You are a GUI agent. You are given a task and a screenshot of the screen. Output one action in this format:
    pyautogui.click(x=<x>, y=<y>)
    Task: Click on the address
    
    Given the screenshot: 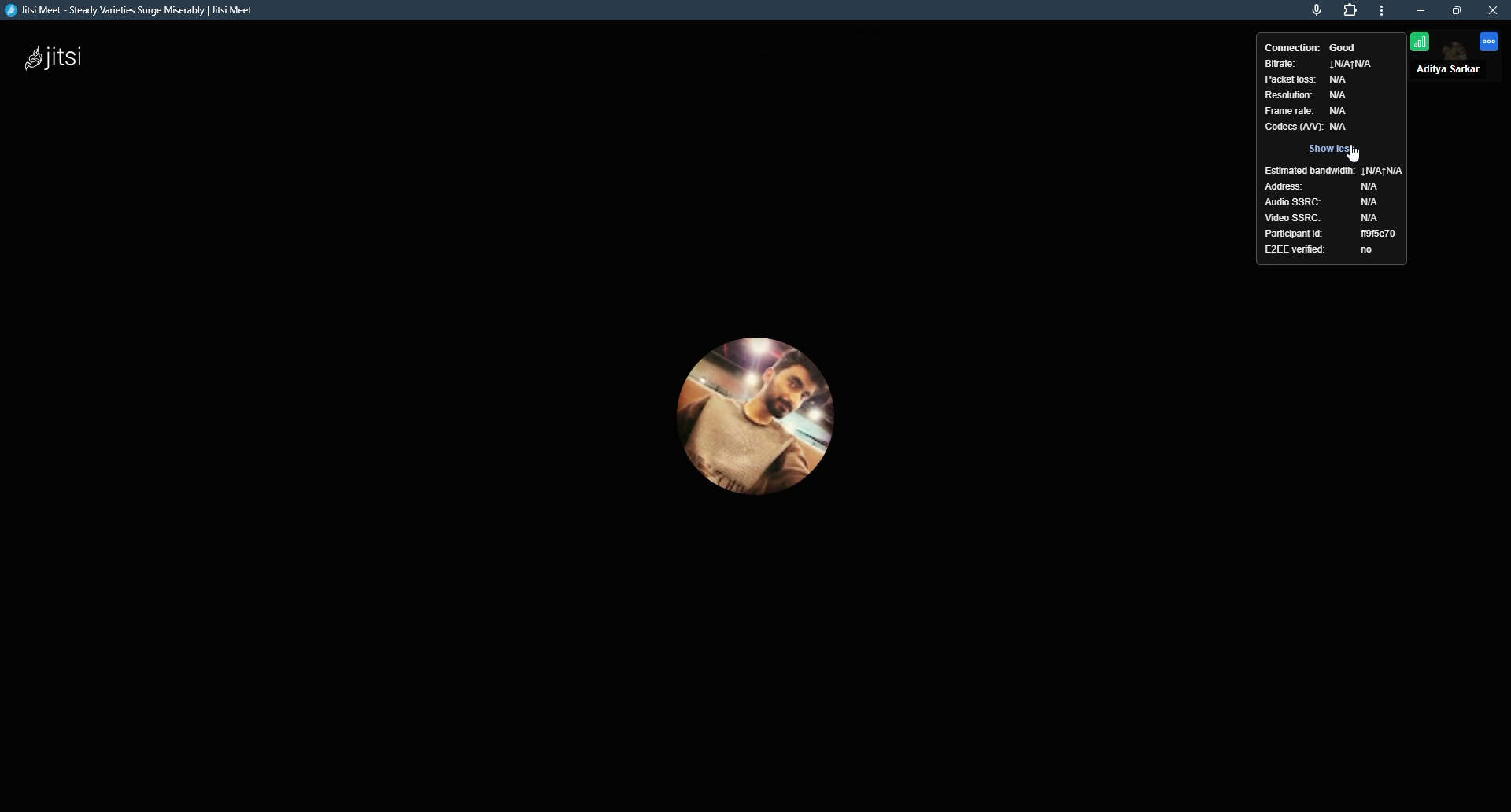 What is the action you would take?
    pyautogui.click(x=1290, y=186)
    